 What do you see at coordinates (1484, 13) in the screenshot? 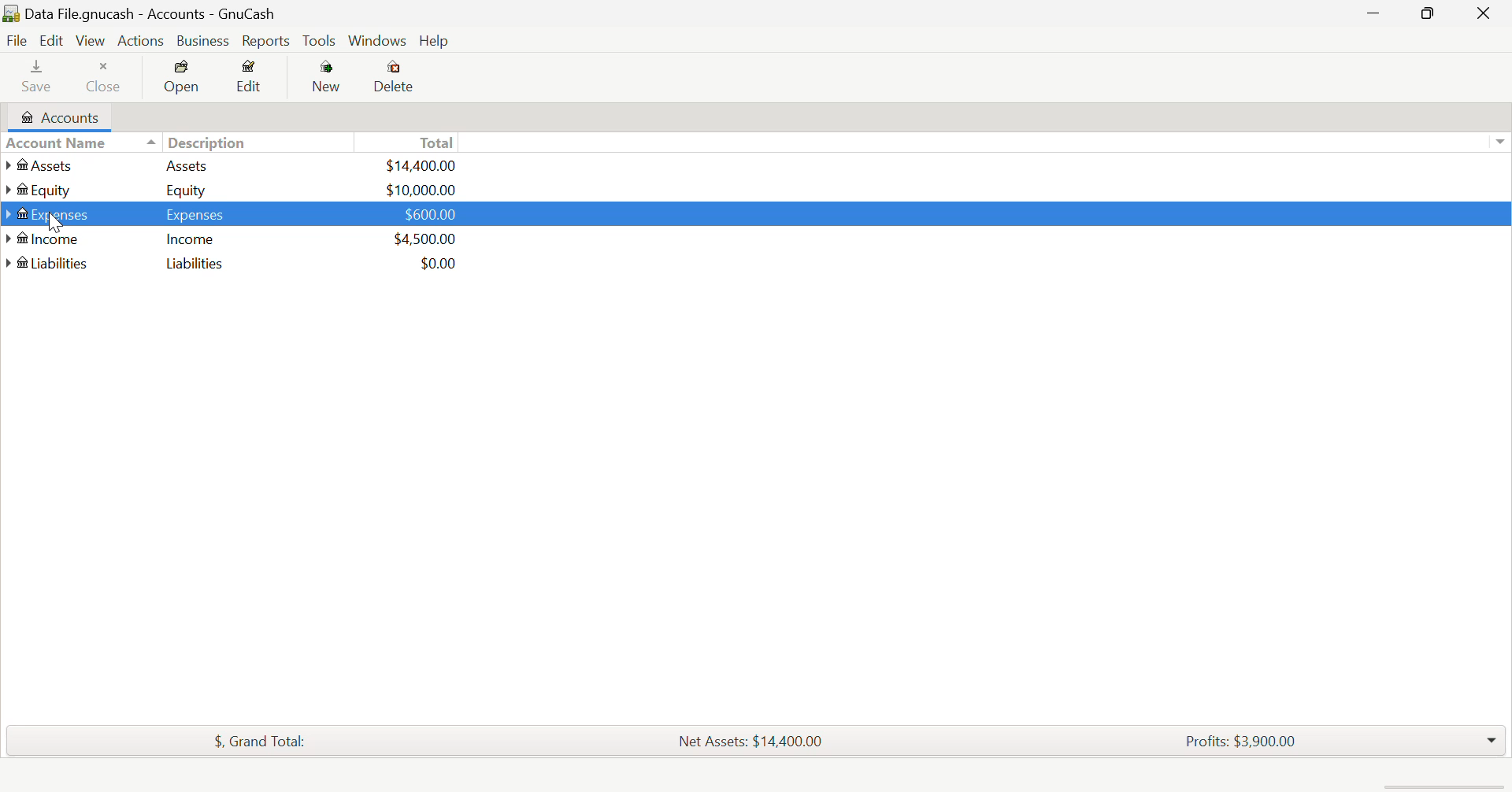
I see `Close` at bounding box center [1484, 13].